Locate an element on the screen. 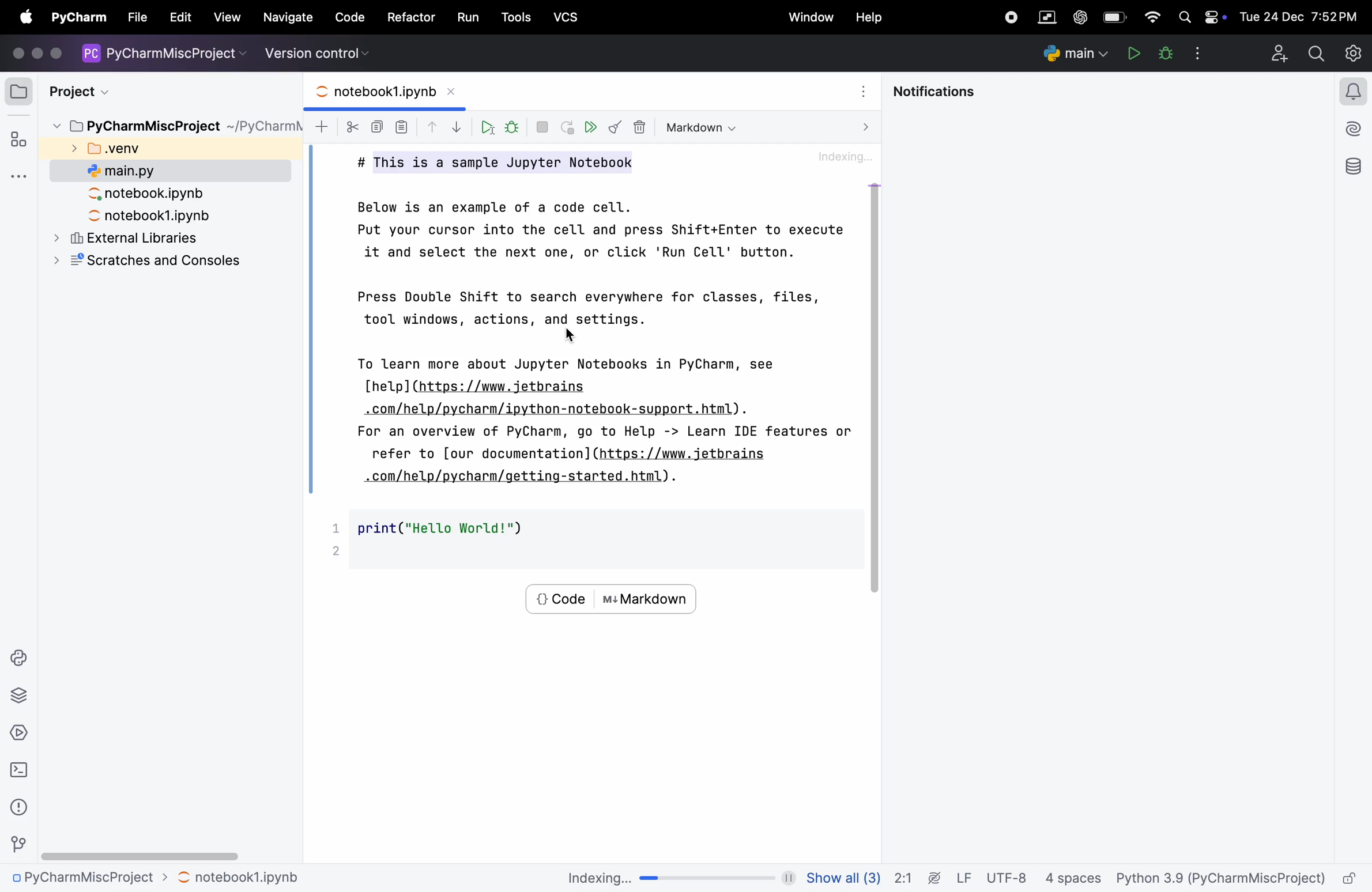 The image size is (1372, 892). Tue 24 Dec 7:52PM is located at coordinates (1297, 15).